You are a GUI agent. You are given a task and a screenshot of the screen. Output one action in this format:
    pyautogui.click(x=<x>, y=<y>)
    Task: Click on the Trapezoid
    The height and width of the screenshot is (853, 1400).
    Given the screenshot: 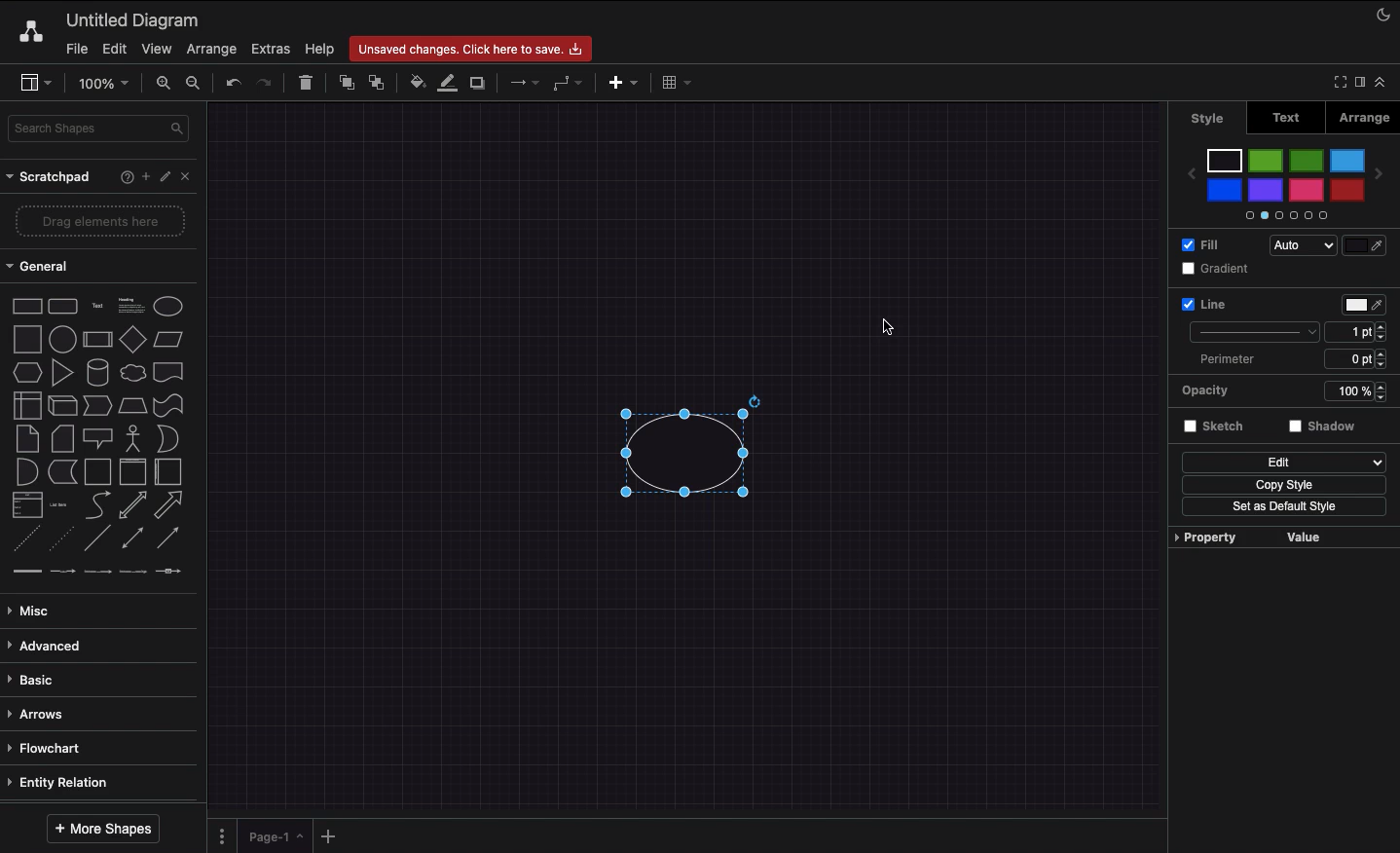 What is the action you would take?
    pyautogui.click(x=130, y=406)
    